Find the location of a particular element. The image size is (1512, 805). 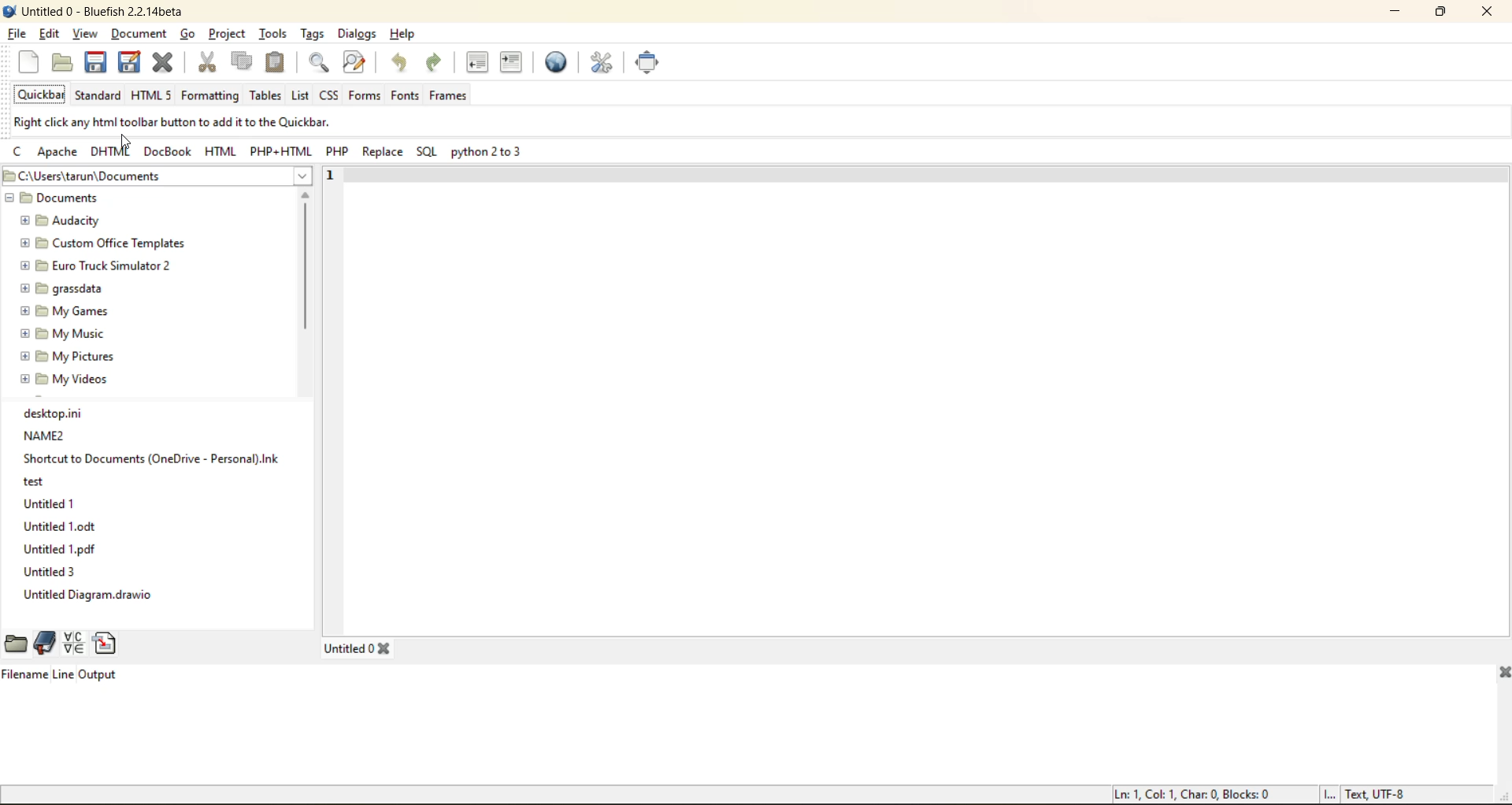

tags is located at coordinates (309, 34).